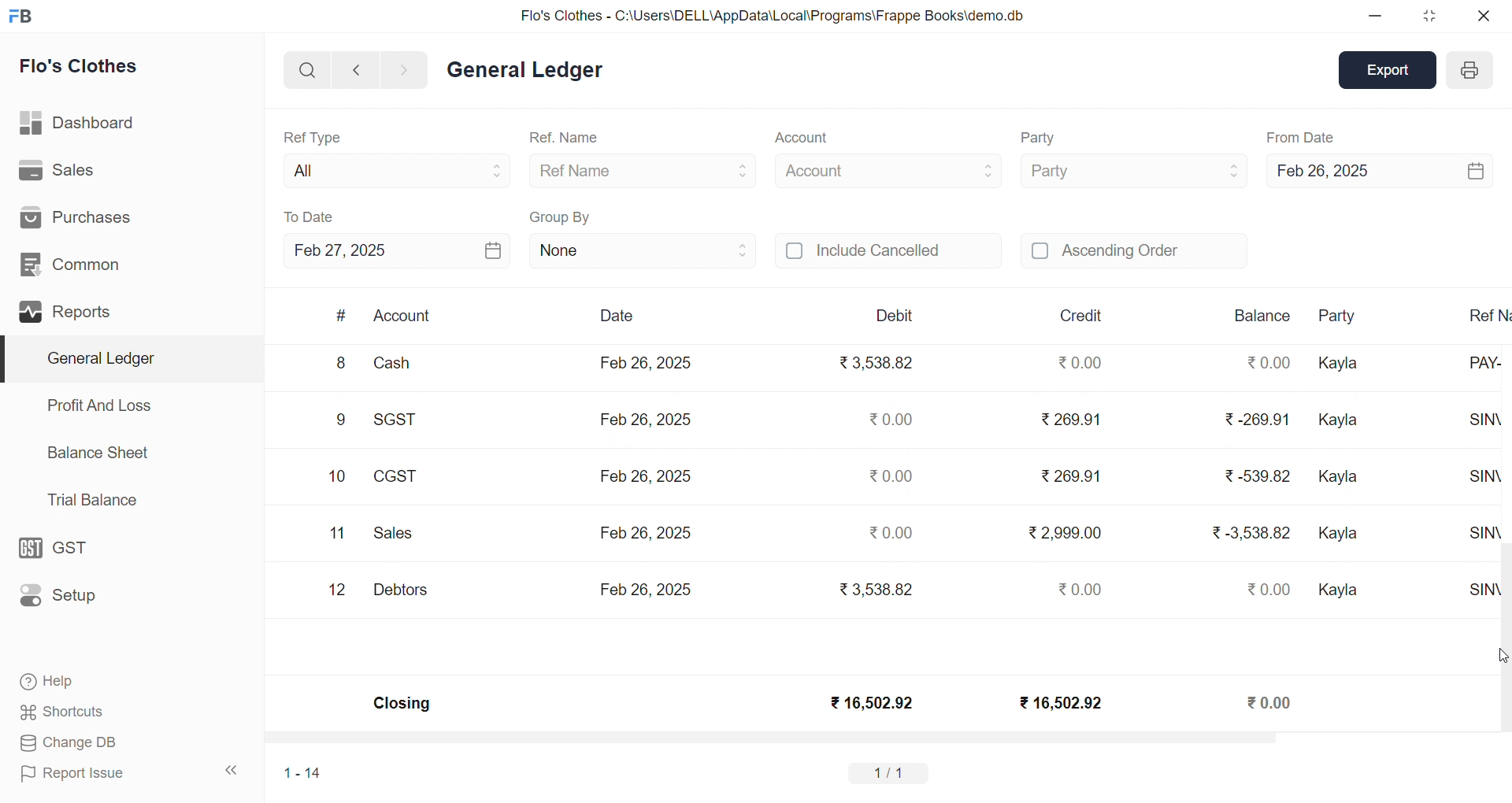 The image size is (1512, 803). What do you see at coordinates (1058, 701) in the screenshot?
I see `₹ 16,502.92` at bounding box center [1058, 701].